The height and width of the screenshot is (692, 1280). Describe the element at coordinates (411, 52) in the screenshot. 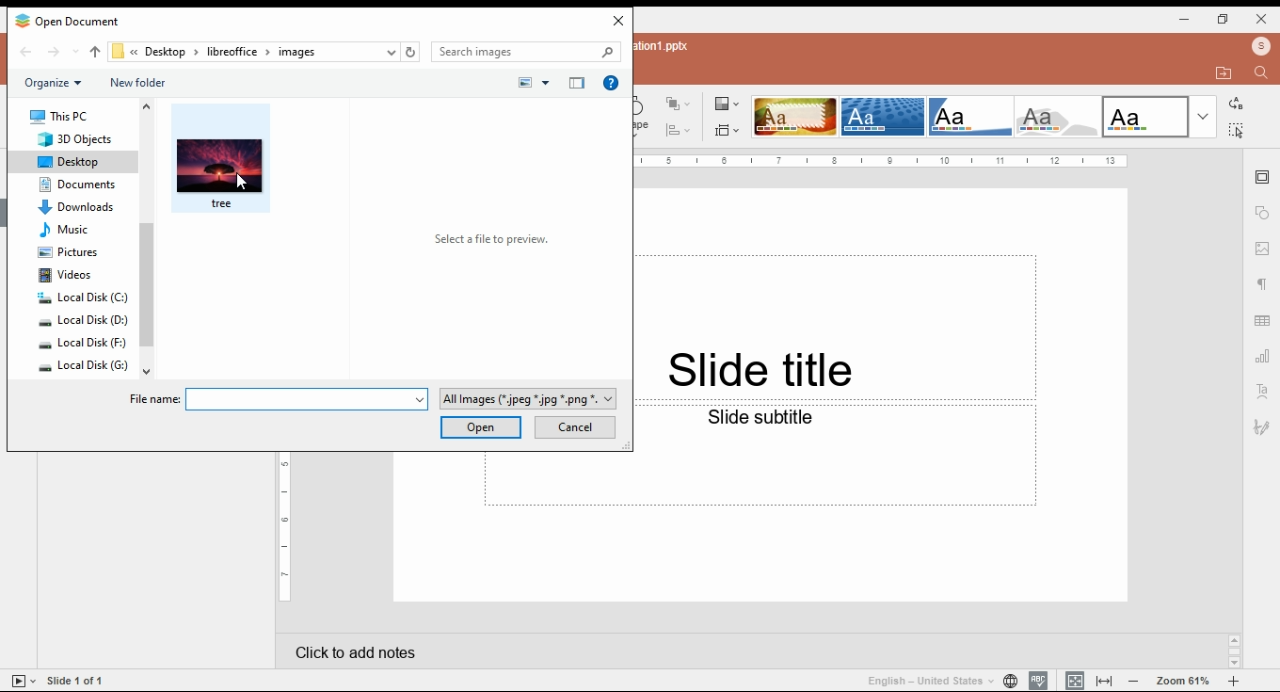

I see `refresh` at that location.